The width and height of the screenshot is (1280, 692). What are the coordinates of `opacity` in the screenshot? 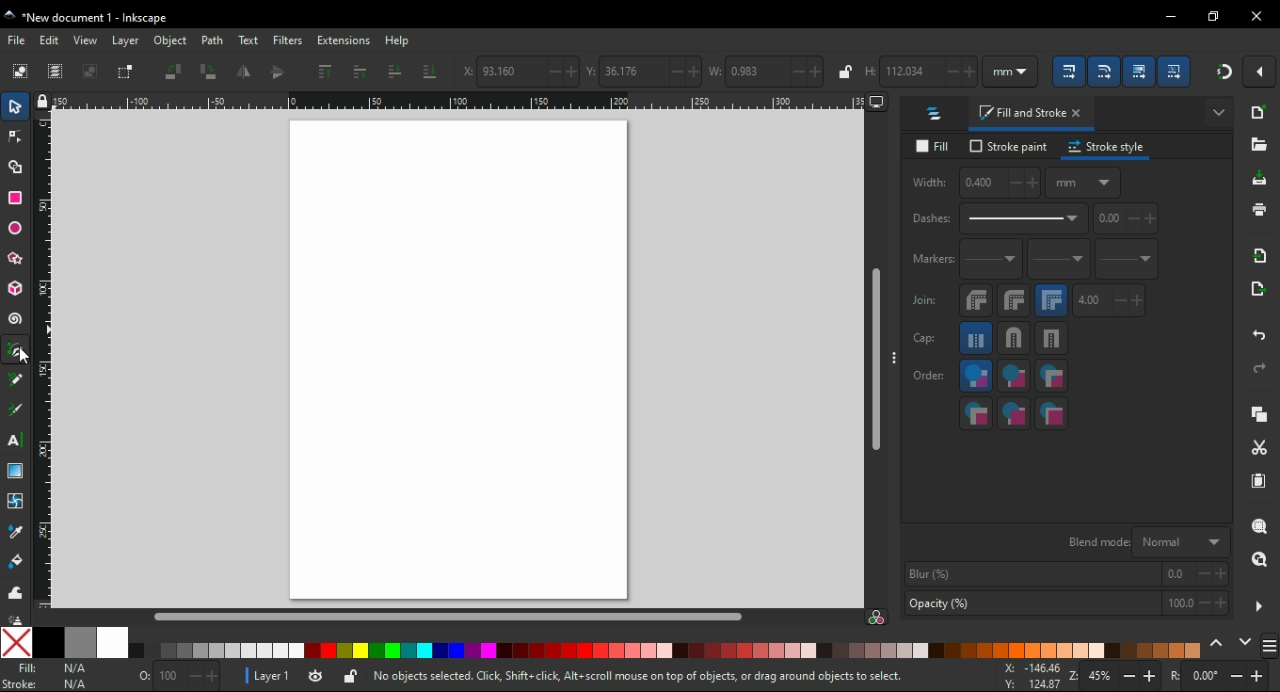 It's located at (1065, 605).